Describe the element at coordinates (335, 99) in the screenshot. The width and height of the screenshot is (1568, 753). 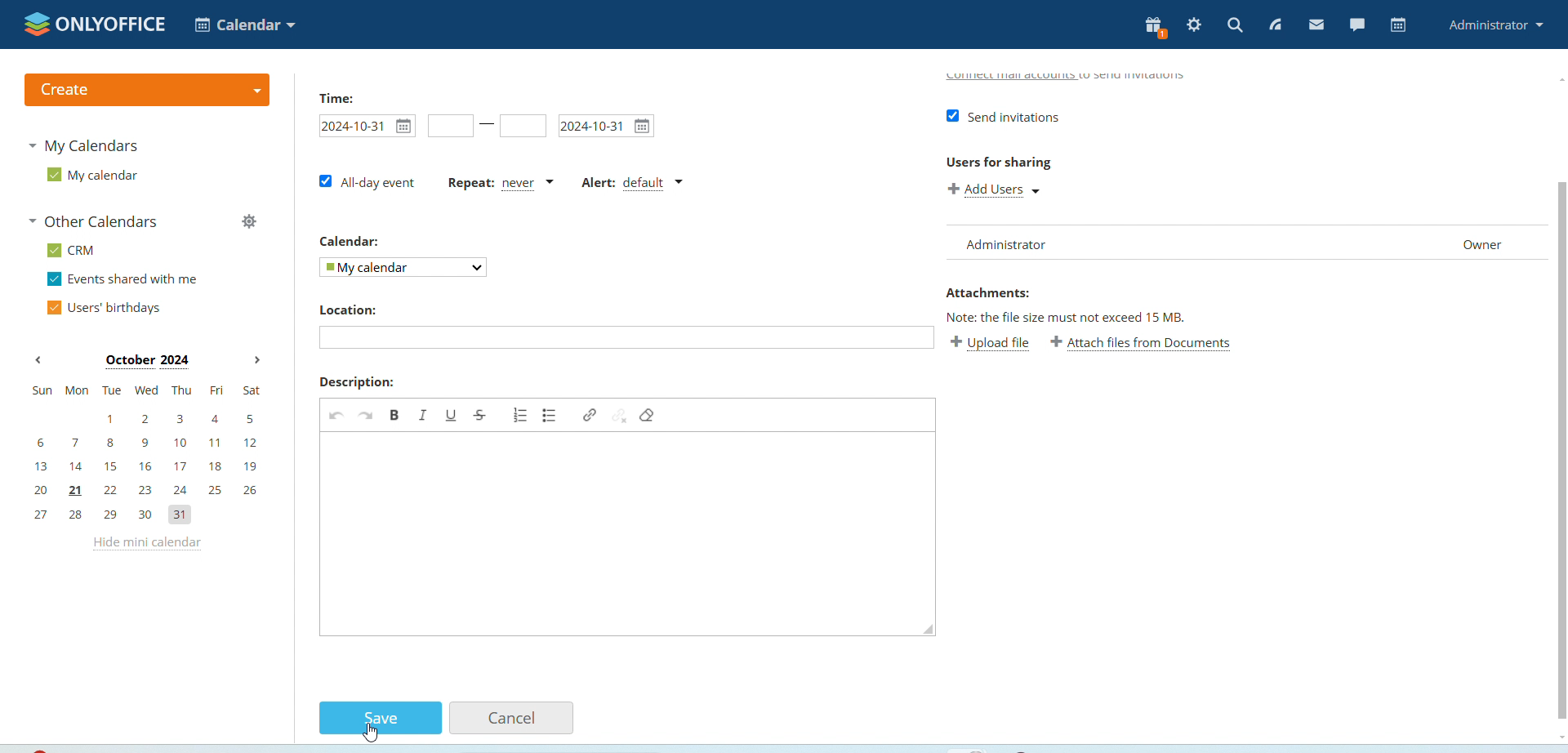
I see `time` at that location.